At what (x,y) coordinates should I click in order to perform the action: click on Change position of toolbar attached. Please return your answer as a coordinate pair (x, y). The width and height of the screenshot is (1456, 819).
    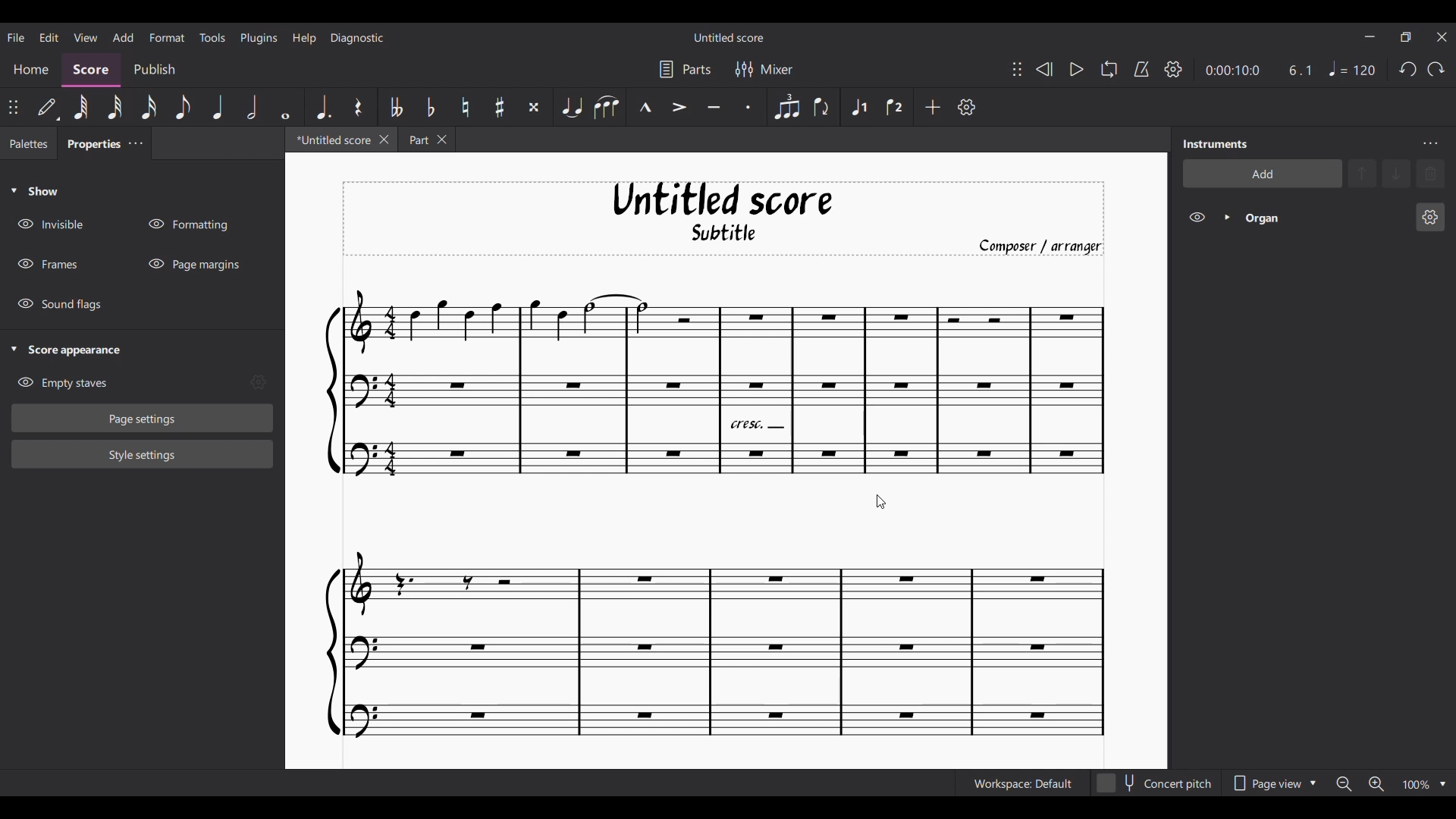
    Looking at the image, I should click on (12, 107).